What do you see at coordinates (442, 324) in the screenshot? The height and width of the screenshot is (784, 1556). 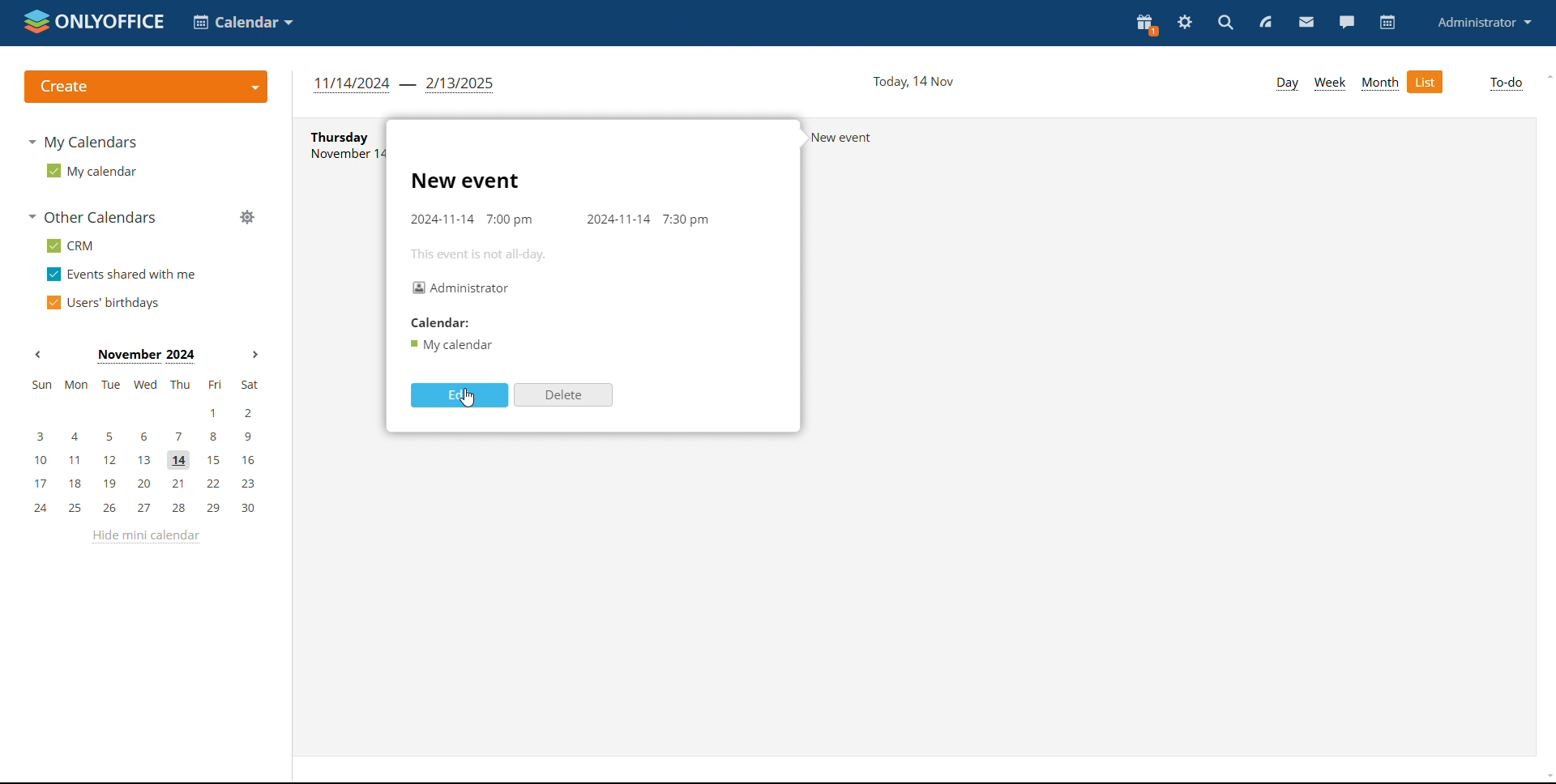 I see `calendar` at bounding box center [442, 324].